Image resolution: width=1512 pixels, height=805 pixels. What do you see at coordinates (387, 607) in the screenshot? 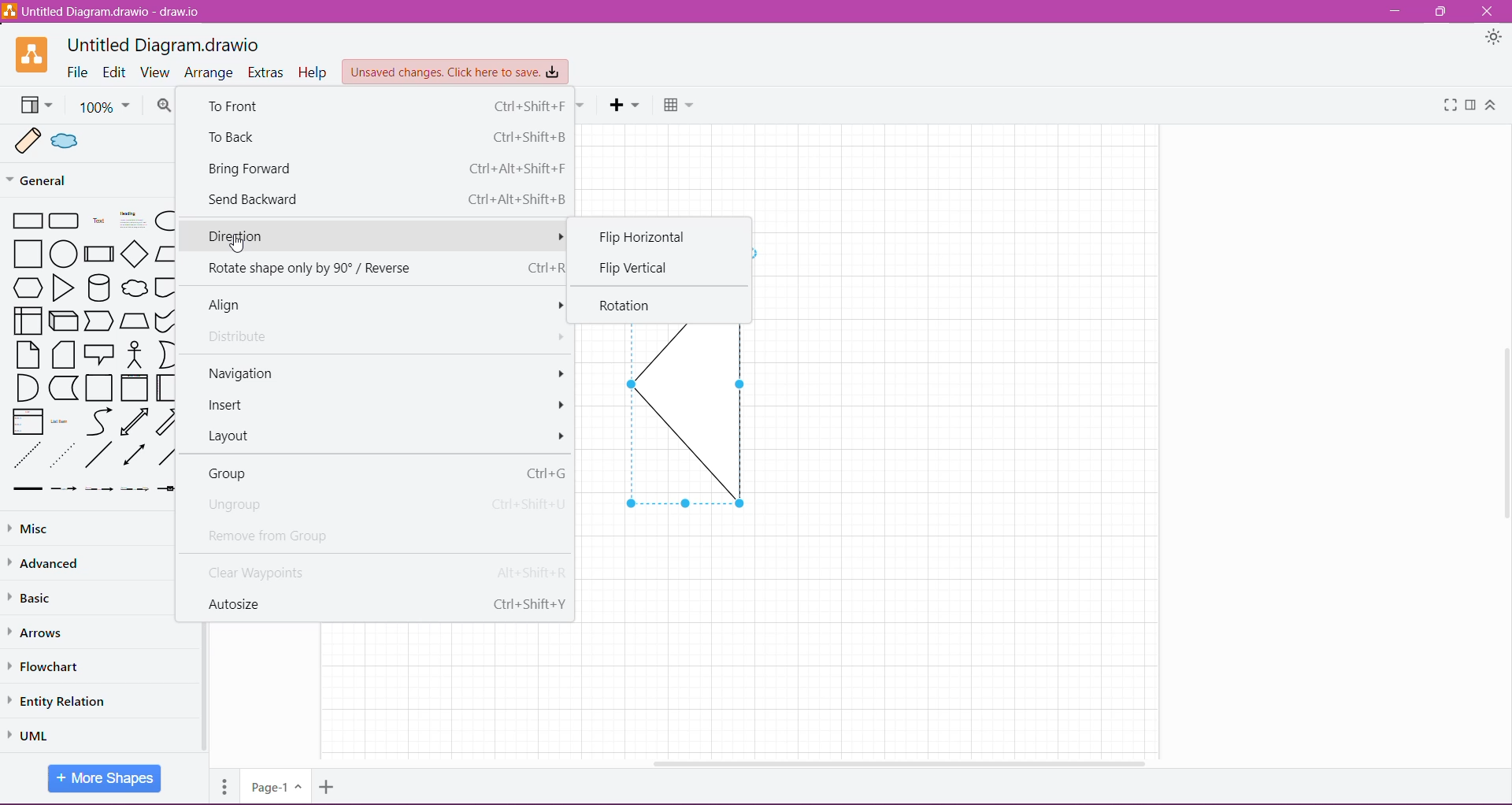
I see `Autosize Ctrl+Shift+Y` at bounding box center [387, 607].